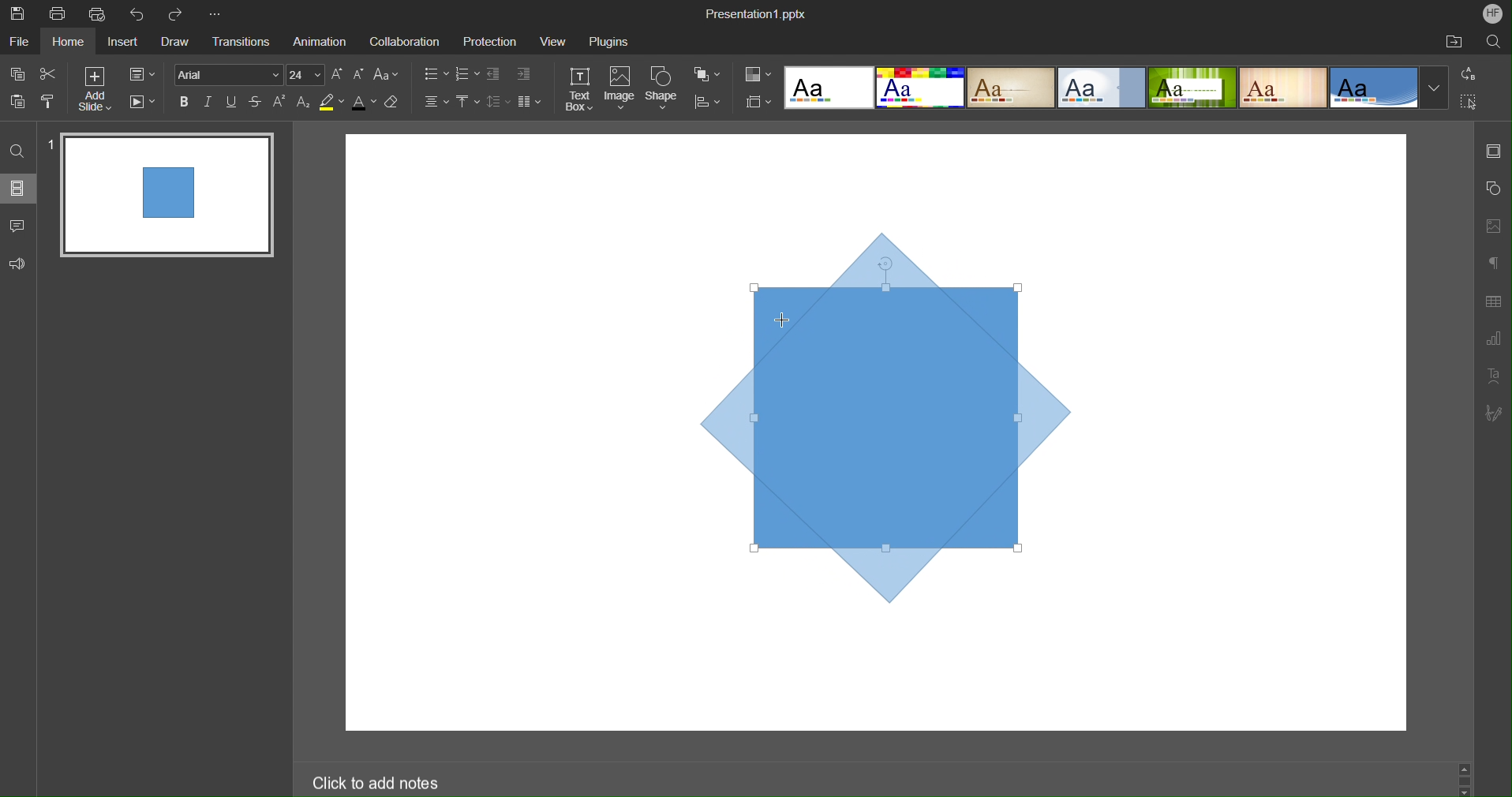 Image resolution: width=1512 pixels, height=797 pixels. I want to click on Increase Font, so click(338, 75).